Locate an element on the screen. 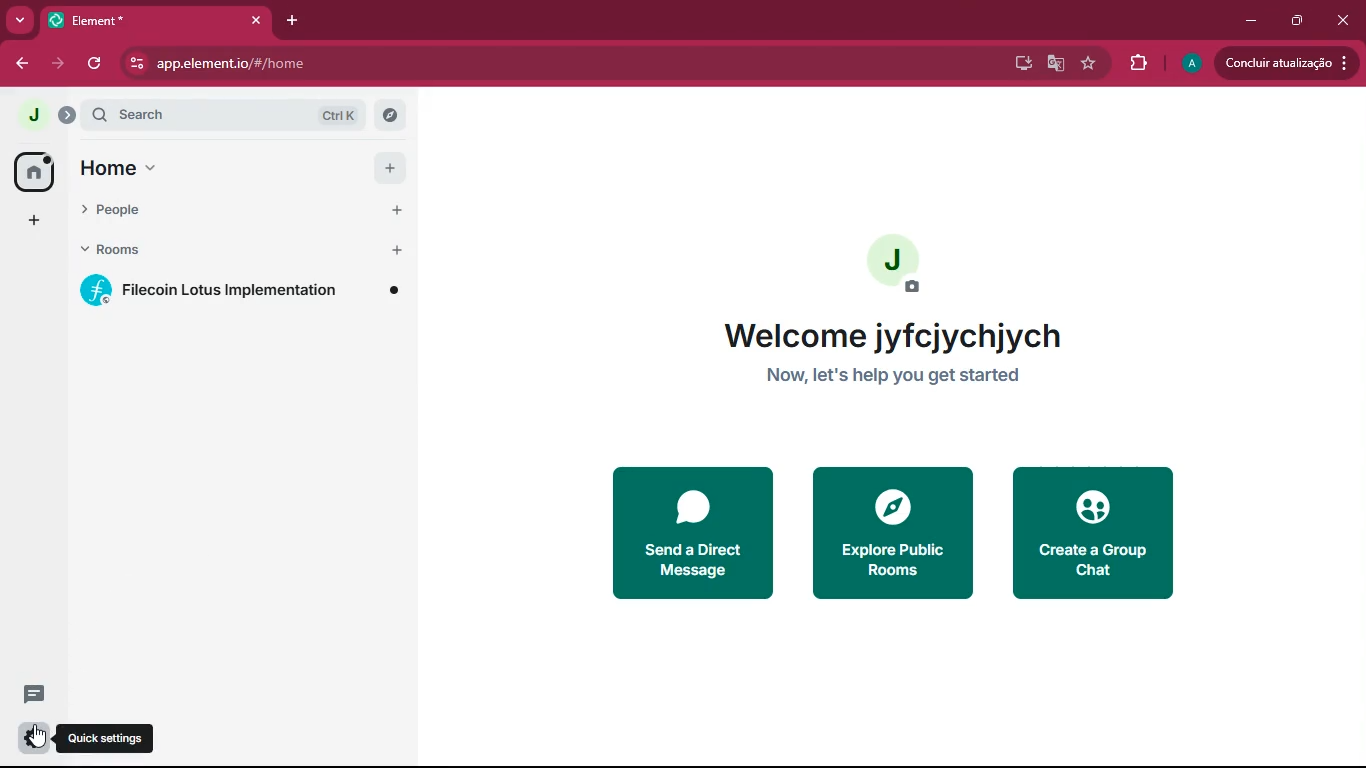  extensions is located at coordinates (1136, 65).